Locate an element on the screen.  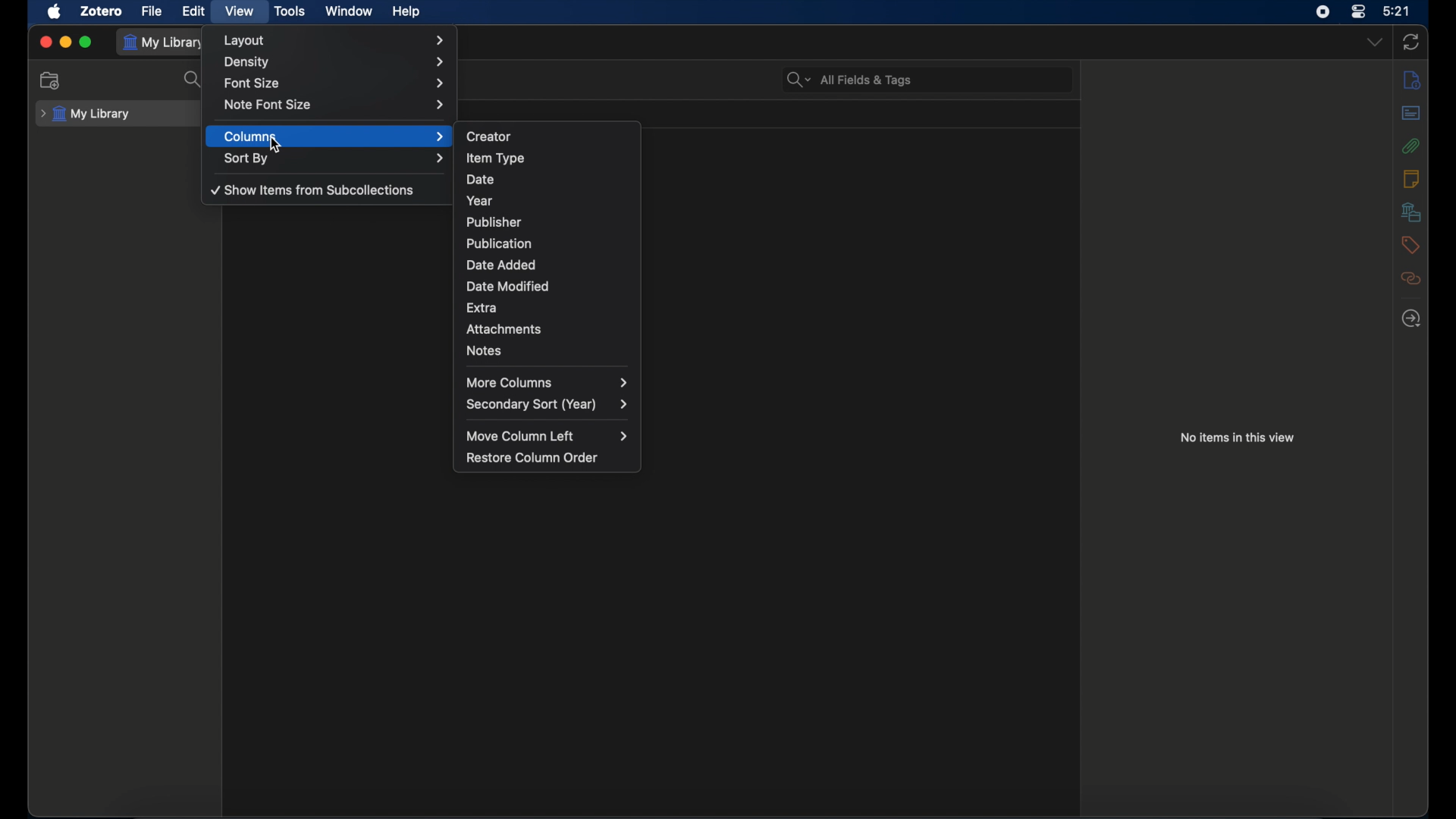
notes is located at coordinates (1411, 178).